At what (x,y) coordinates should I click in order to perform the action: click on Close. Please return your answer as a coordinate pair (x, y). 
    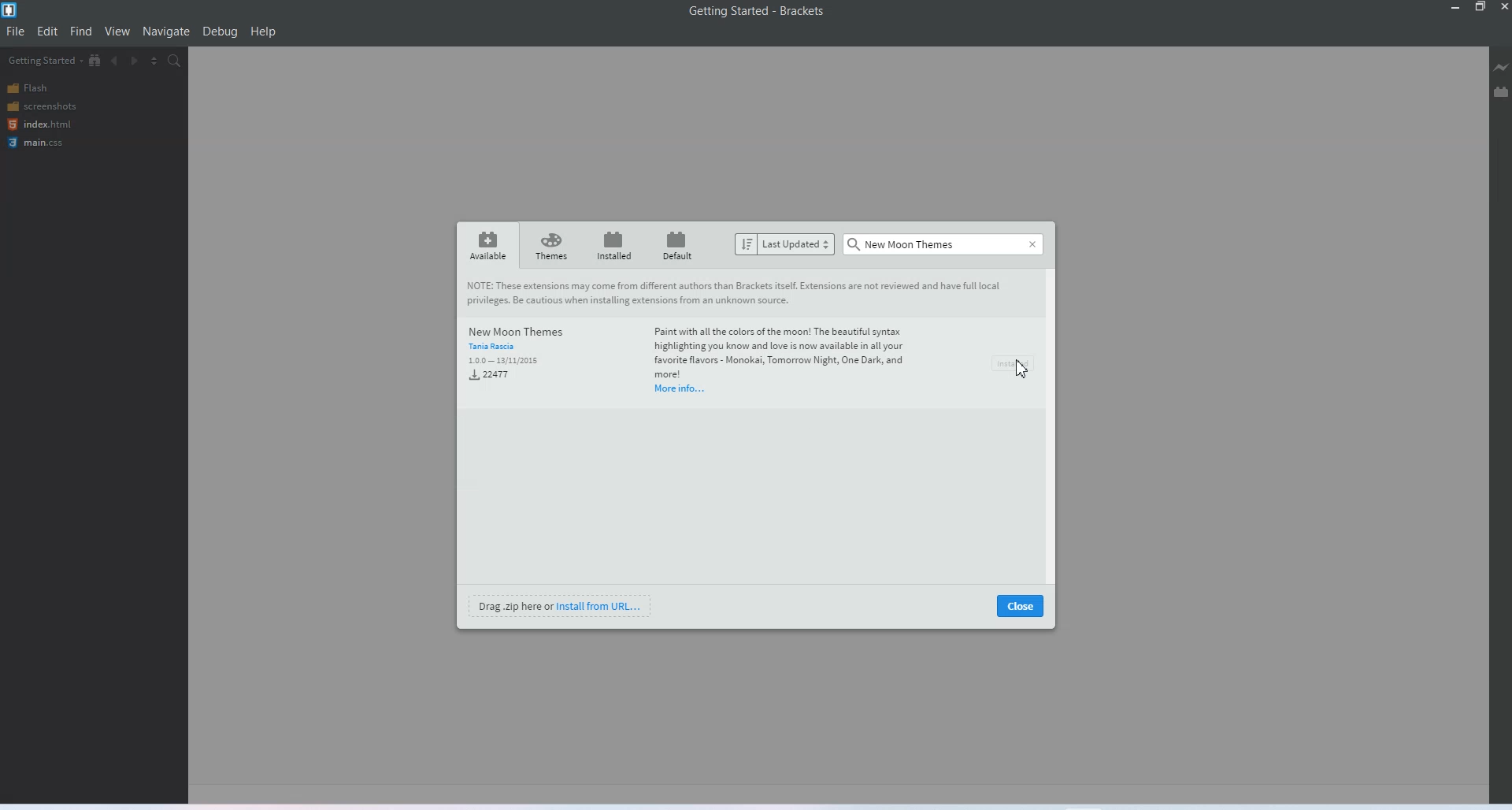
    Looking at the image, I should click on (1503, 8).